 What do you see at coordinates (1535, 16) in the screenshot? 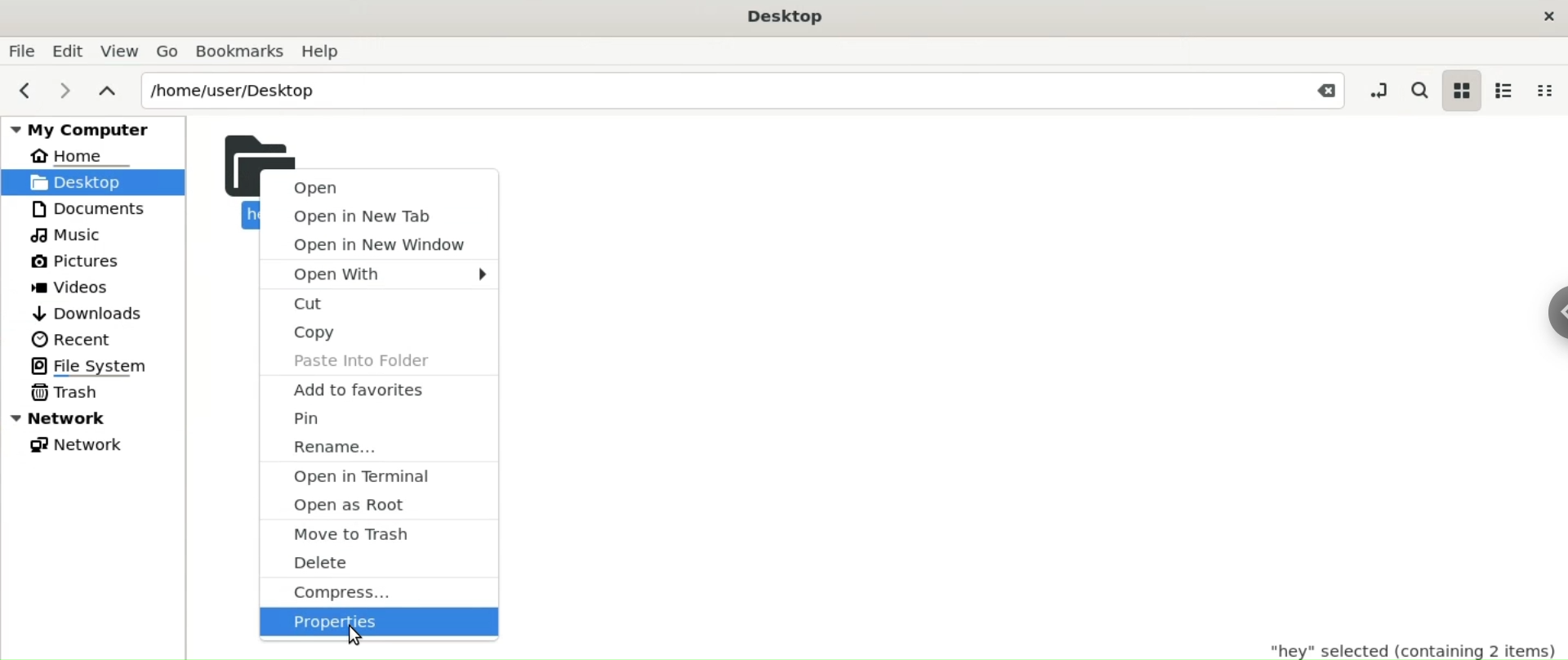
I see `Close` at bounding box center [1535, 16].